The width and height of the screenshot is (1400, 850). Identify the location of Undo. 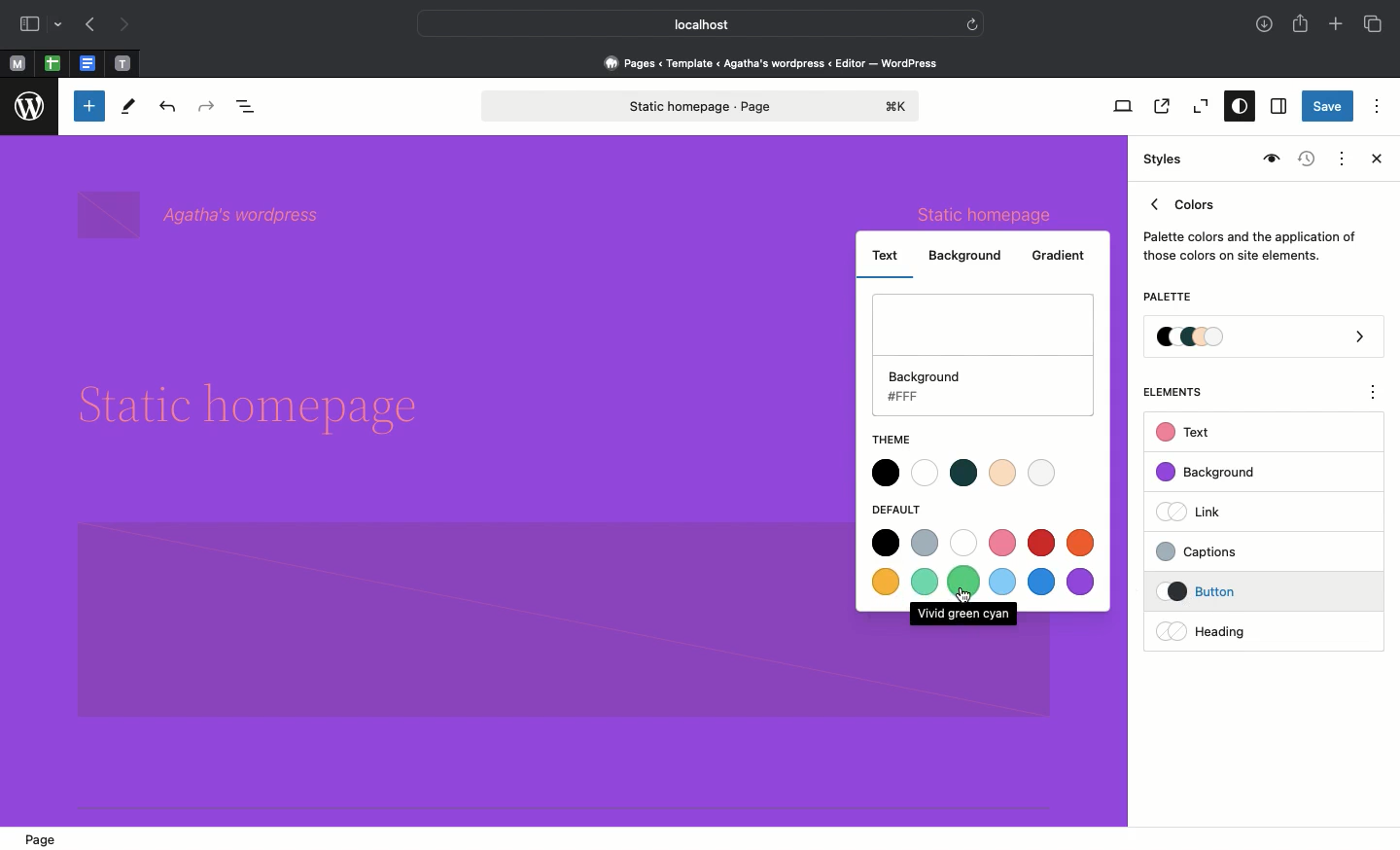
(167, 108).